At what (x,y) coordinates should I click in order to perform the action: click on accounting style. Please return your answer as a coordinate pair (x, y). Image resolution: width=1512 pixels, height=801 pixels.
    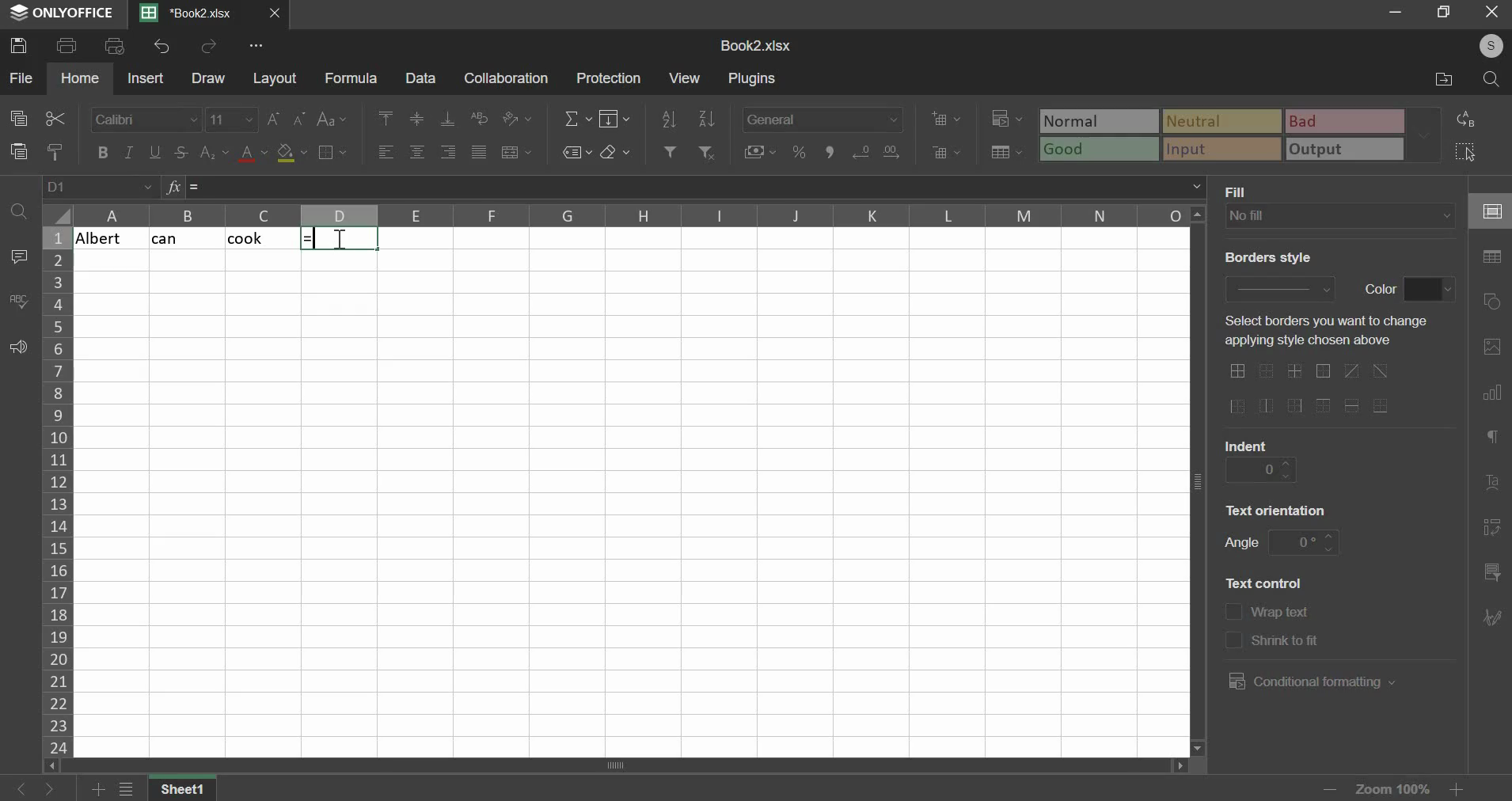
    Looking at the image, I should click on (761, 151).